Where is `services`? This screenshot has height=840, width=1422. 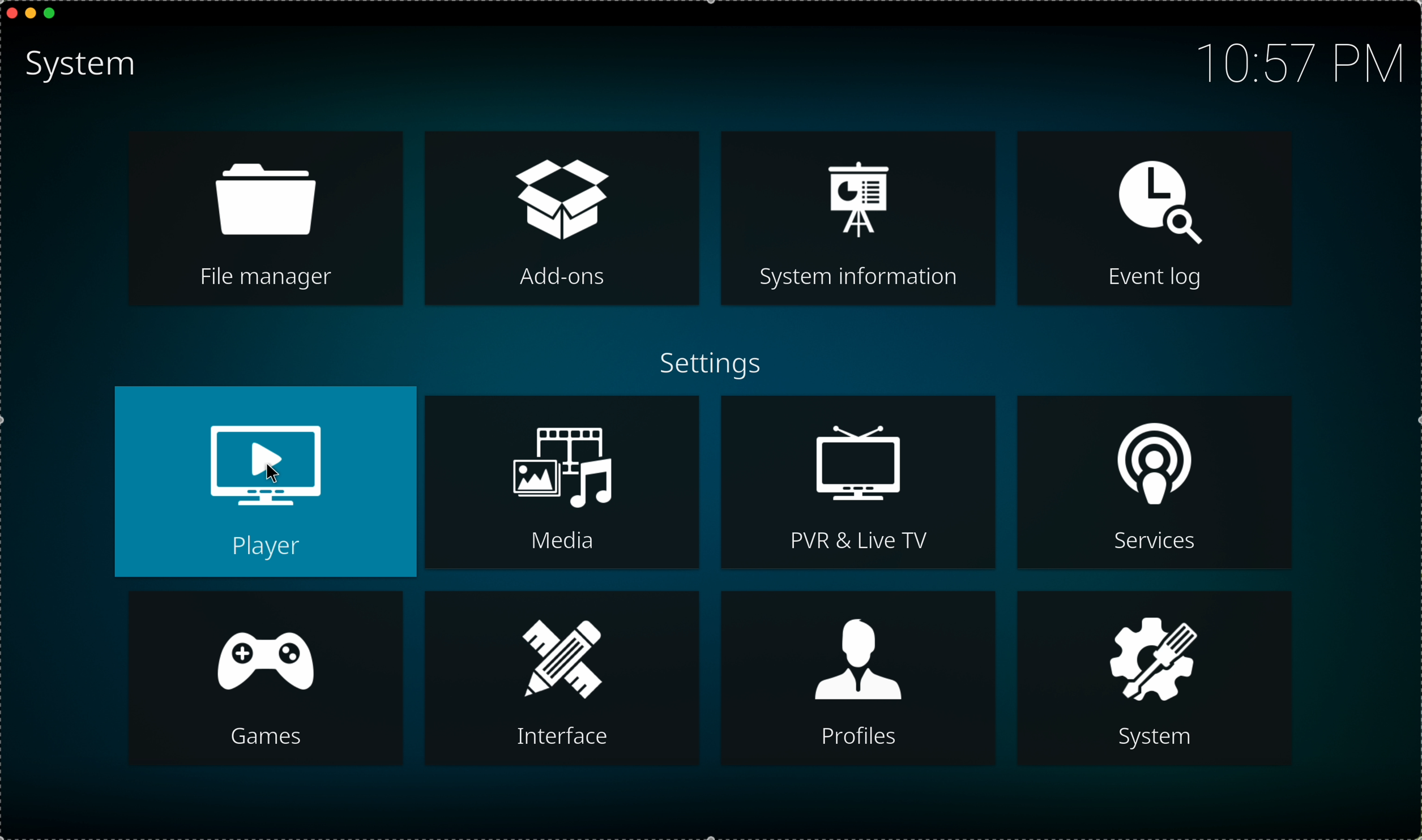
services is located at coordinates (1154, 481).